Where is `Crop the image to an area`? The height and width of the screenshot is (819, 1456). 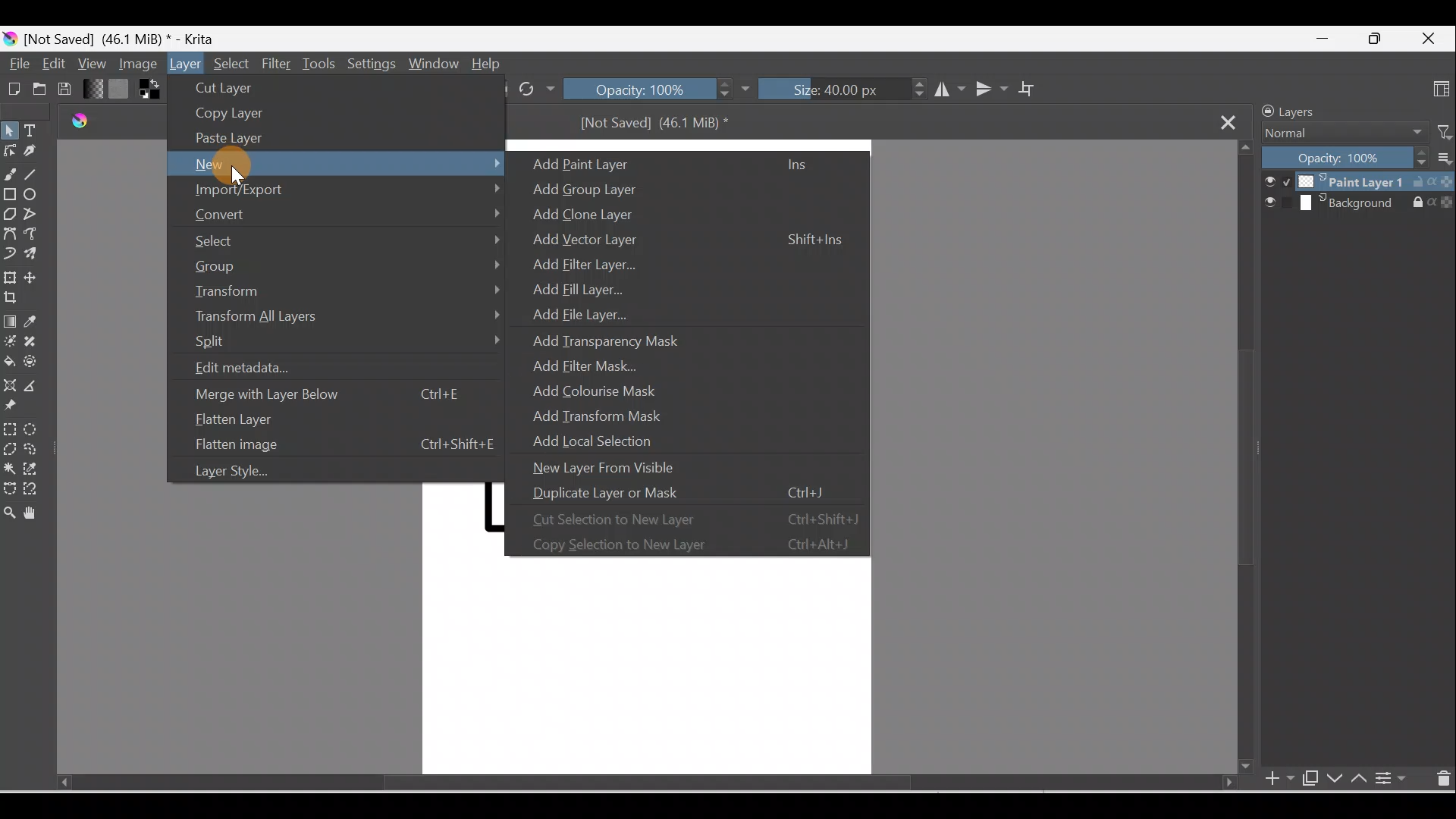
Crop the image to an area is located at coordinates (13, 298).